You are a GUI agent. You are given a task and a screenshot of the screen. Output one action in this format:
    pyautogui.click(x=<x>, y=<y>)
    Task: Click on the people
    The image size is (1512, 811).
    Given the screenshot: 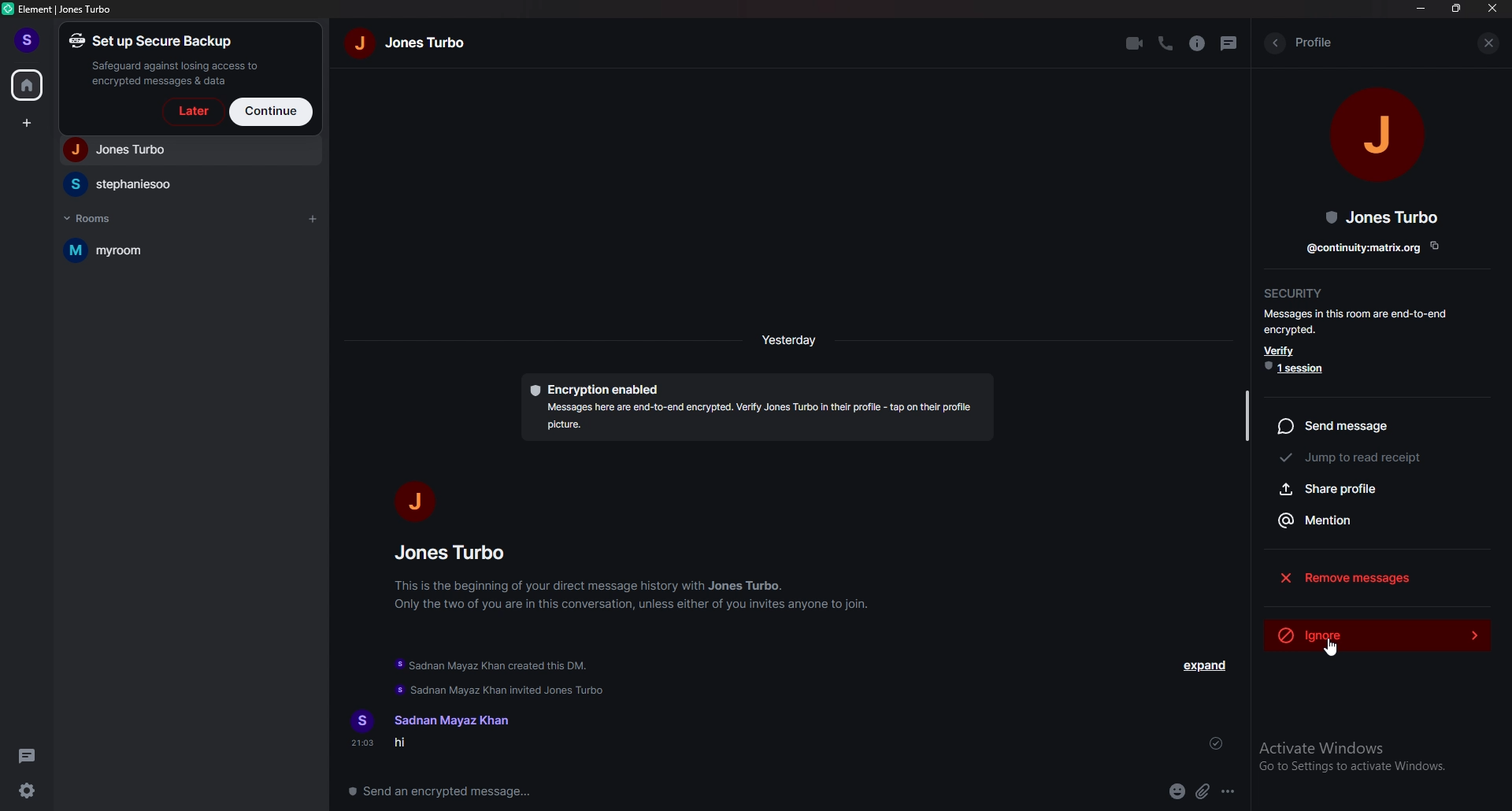 What is the action you would take?
    pyautogui.click(x=188, y=184)
    